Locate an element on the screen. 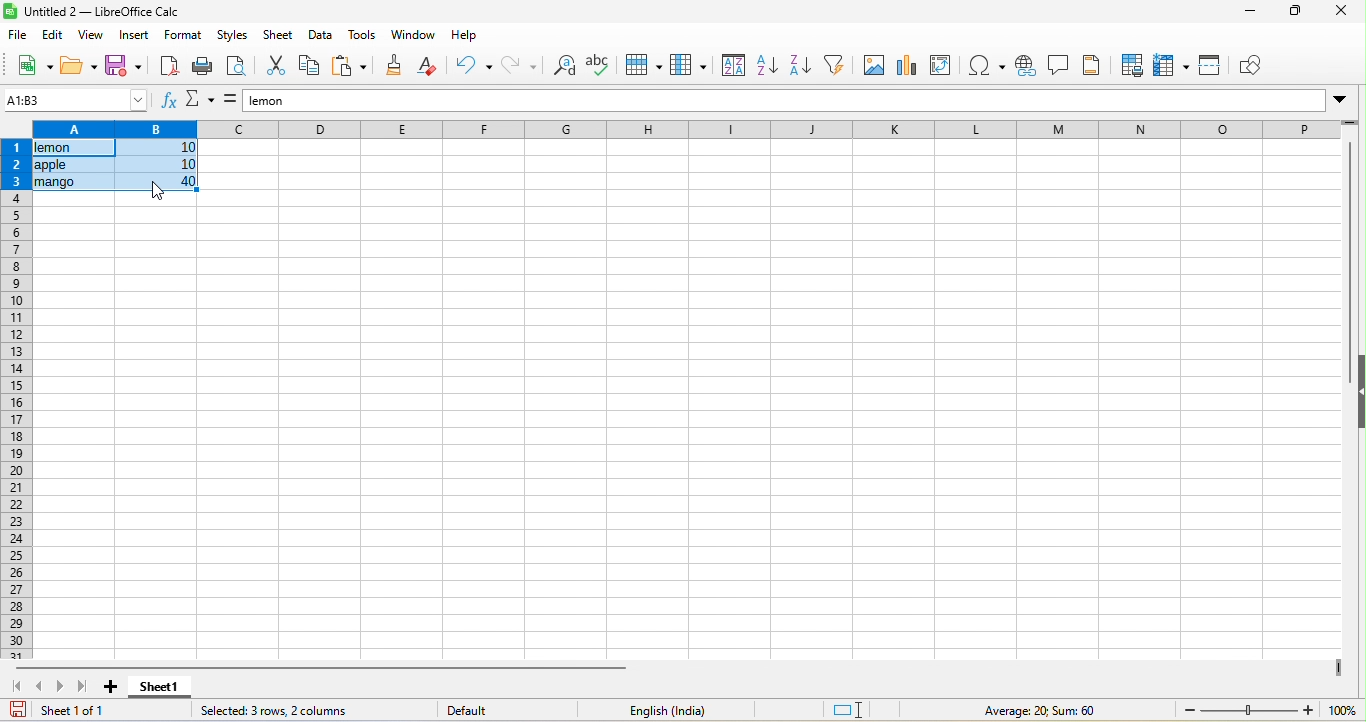 The image size is (1366, 722). scroll to first sheet is located at coordinates (18, 687).